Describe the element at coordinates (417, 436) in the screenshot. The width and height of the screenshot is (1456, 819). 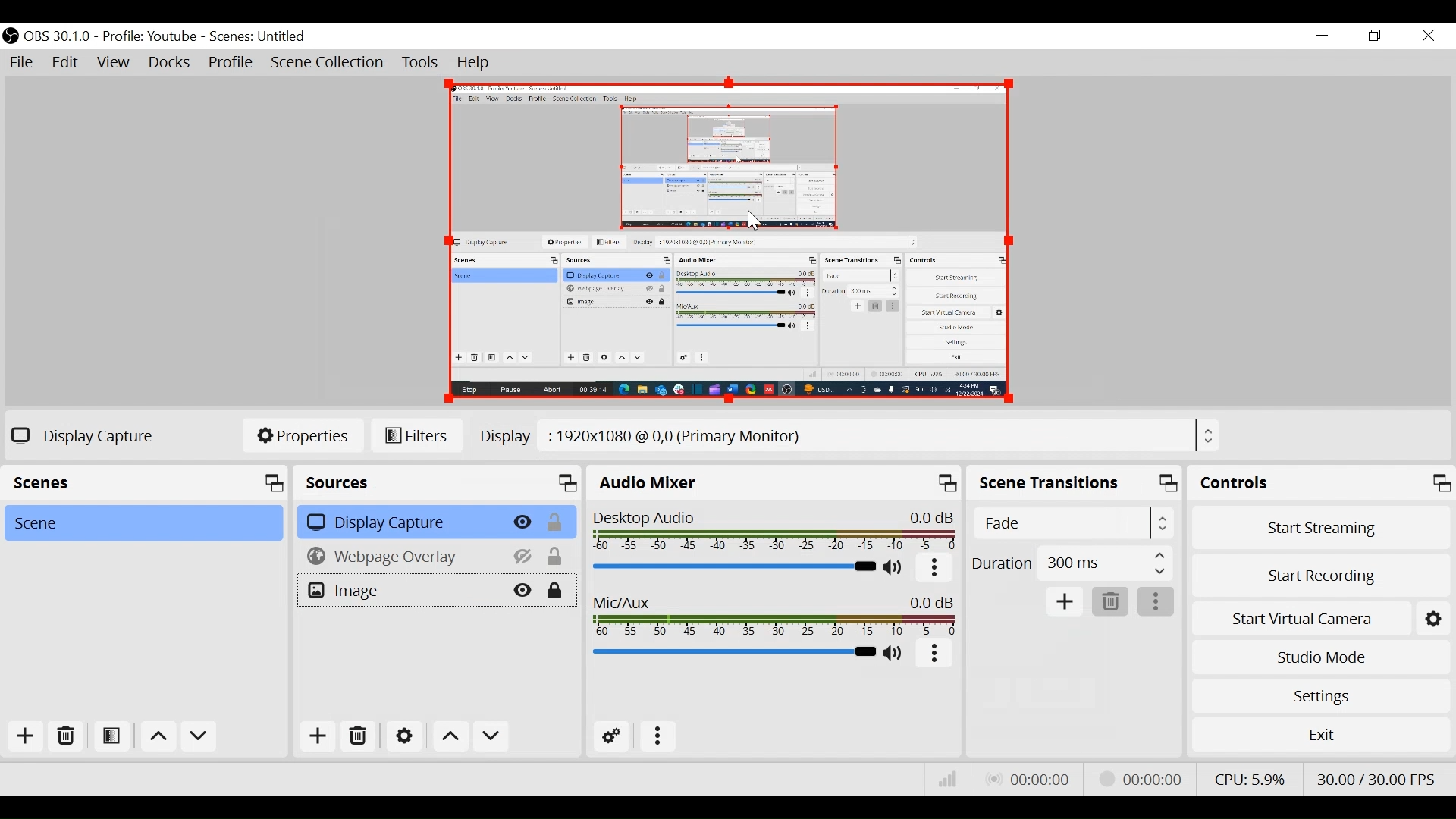
I see `Filters` at that location.